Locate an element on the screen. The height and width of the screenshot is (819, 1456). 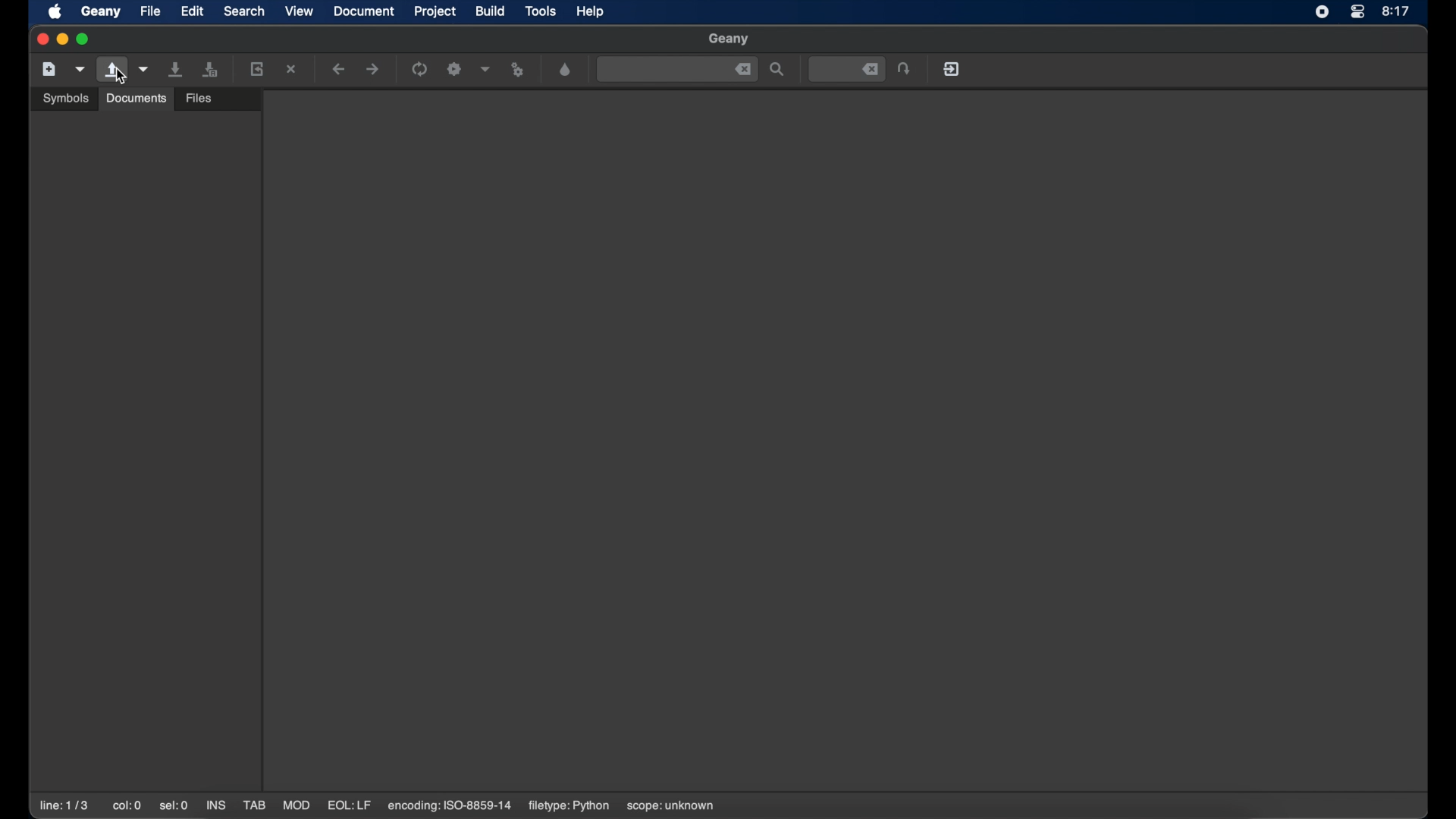
save all open files is located at coordinates (210, 69).